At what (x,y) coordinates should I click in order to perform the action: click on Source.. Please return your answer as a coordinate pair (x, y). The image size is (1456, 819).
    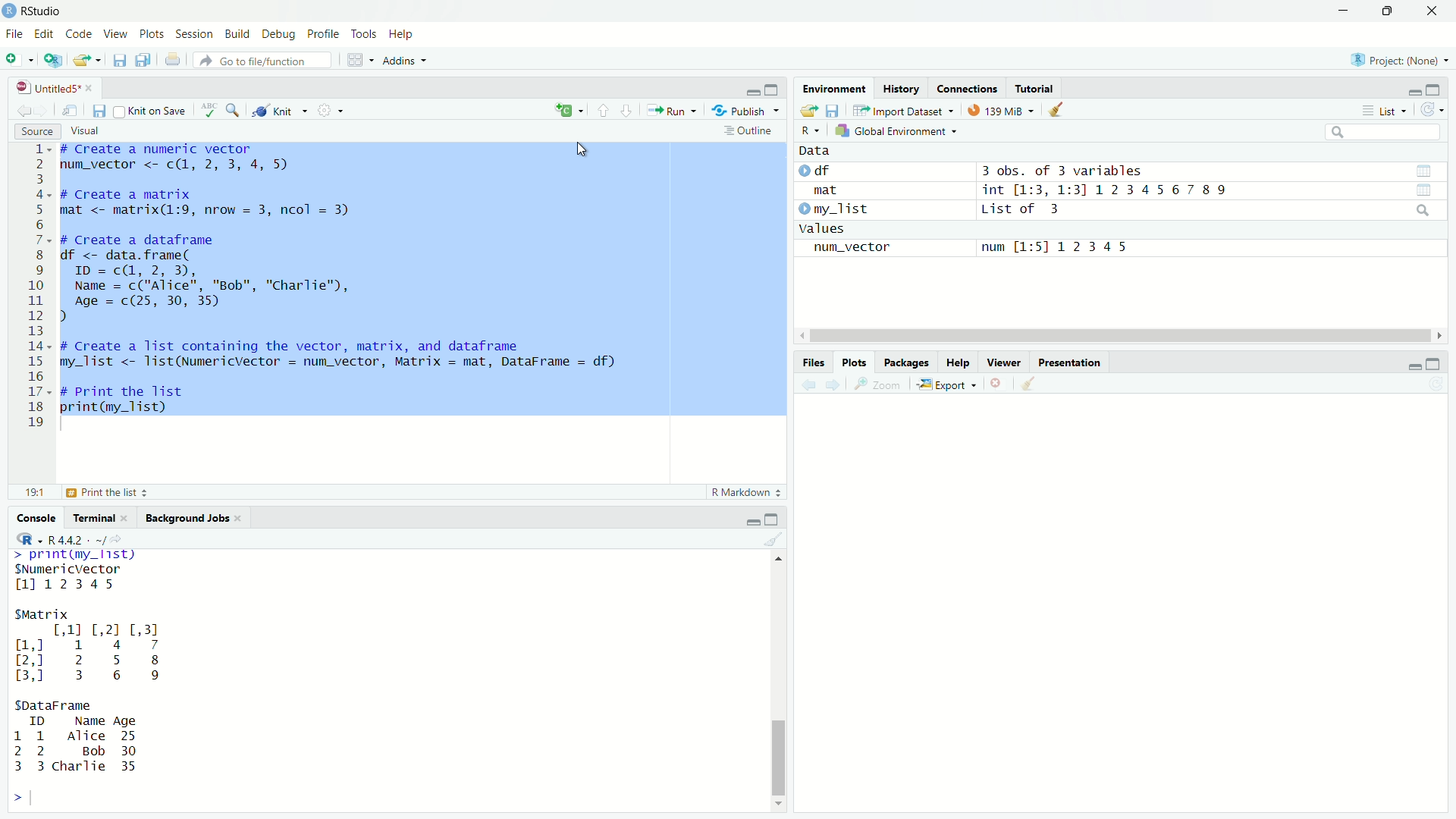
    Looking at the image, I should click on (29, 130).